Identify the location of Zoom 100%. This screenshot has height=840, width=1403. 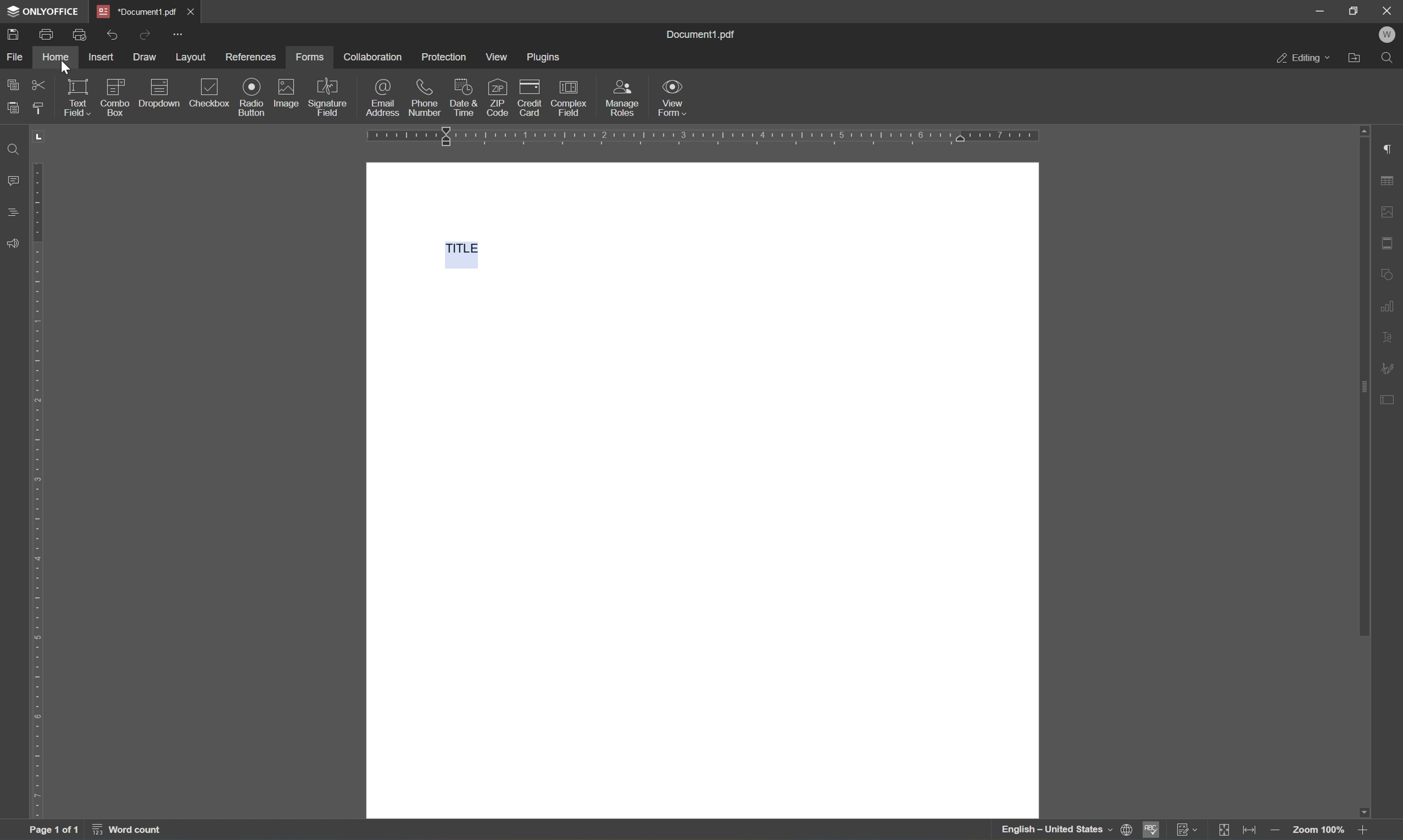
(1320, 831).